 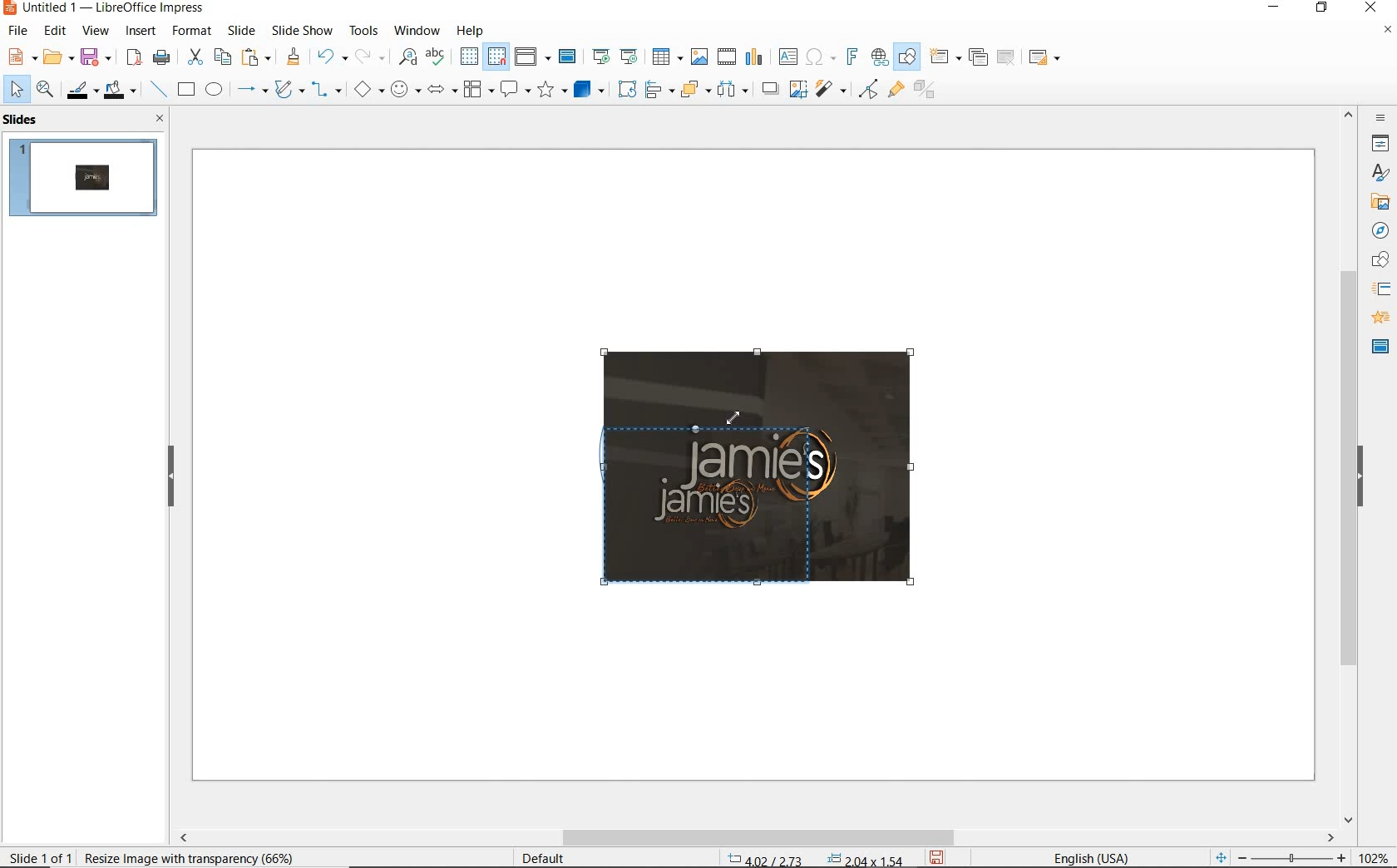 What do you see at coordinates (832, 86) in the screenshot?
I see `filter` at bounding box center [832, 86].